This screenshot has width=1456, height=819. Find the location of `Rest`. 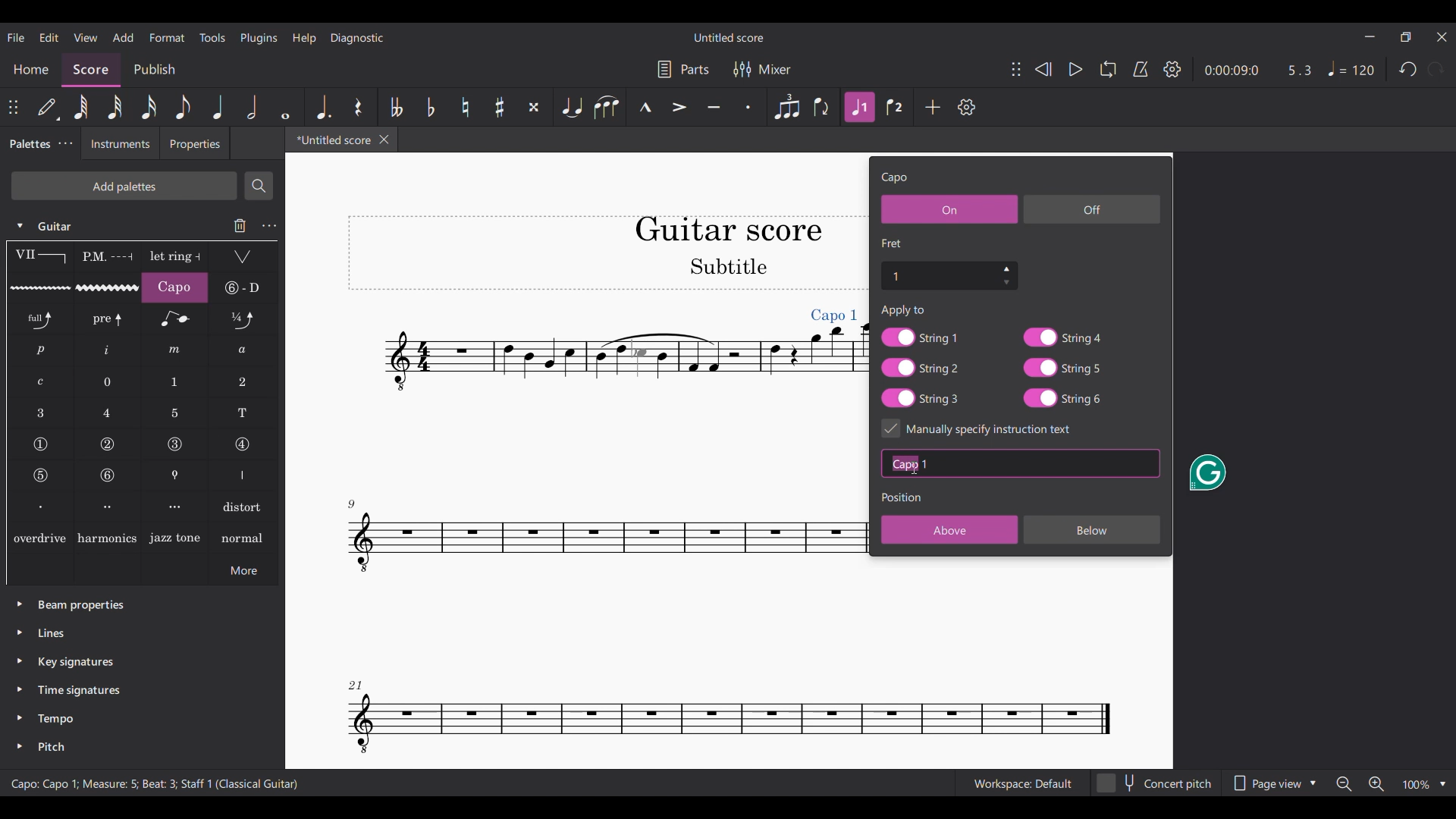

Rest is located at coordinates (359, 107).